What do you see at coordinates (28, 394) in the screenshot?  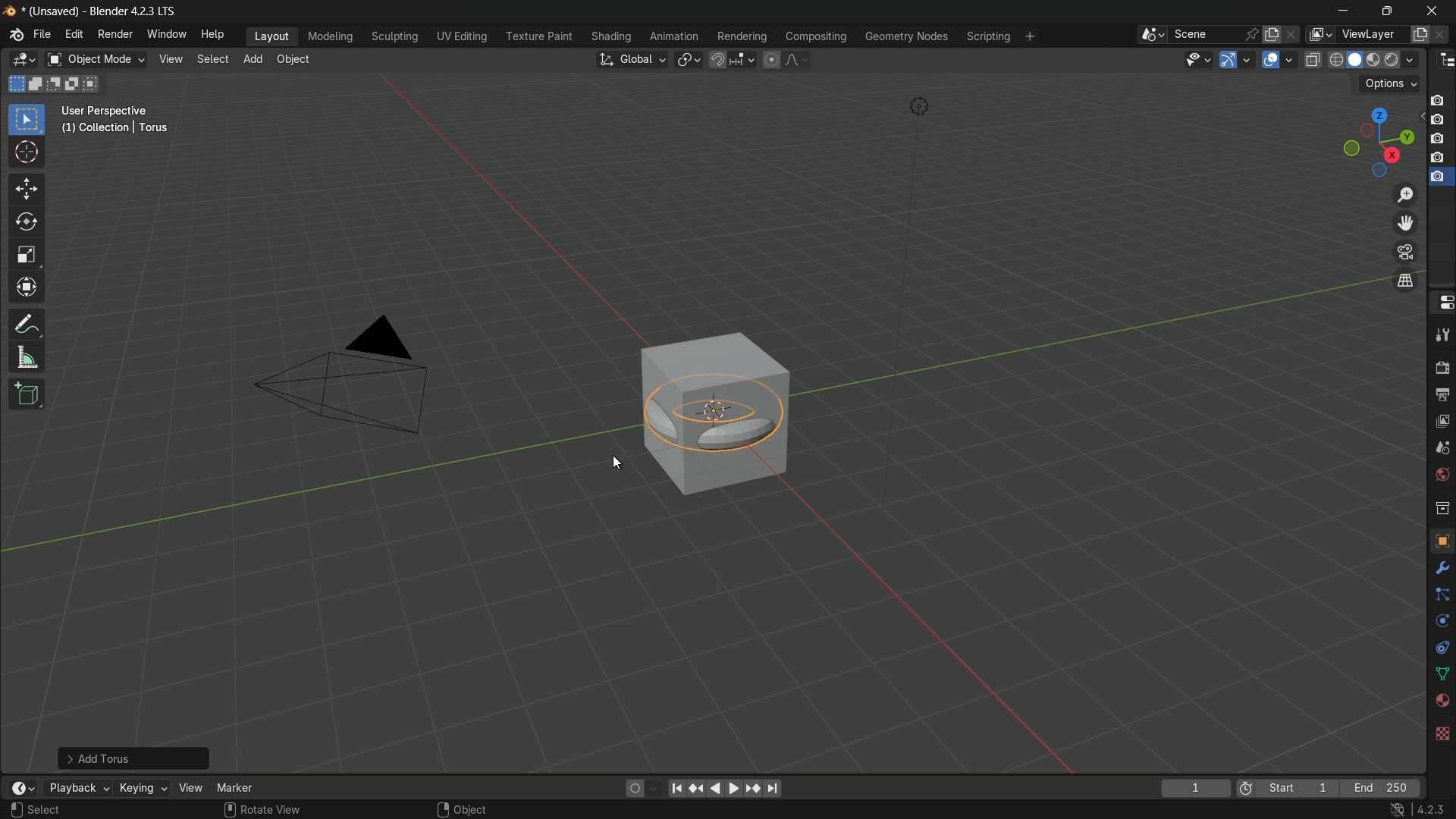 I see `add cube` at bounding box center [28, 394].